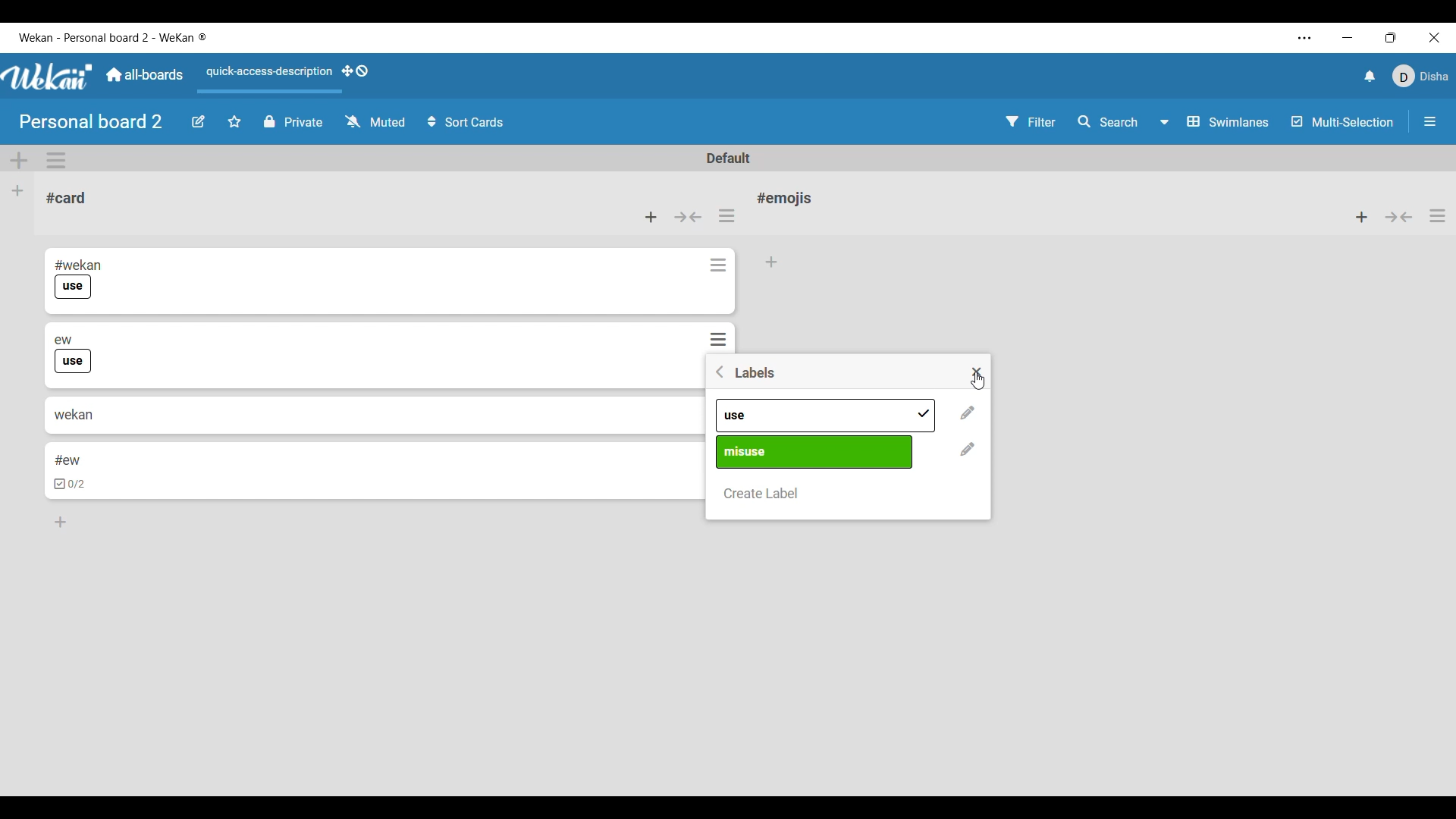 This screenshot has height=819, width=1456. What do you see at coordinates (1370, 77) in the screenshot?
I see `Notifications ` at bounding box center [1370, 77].